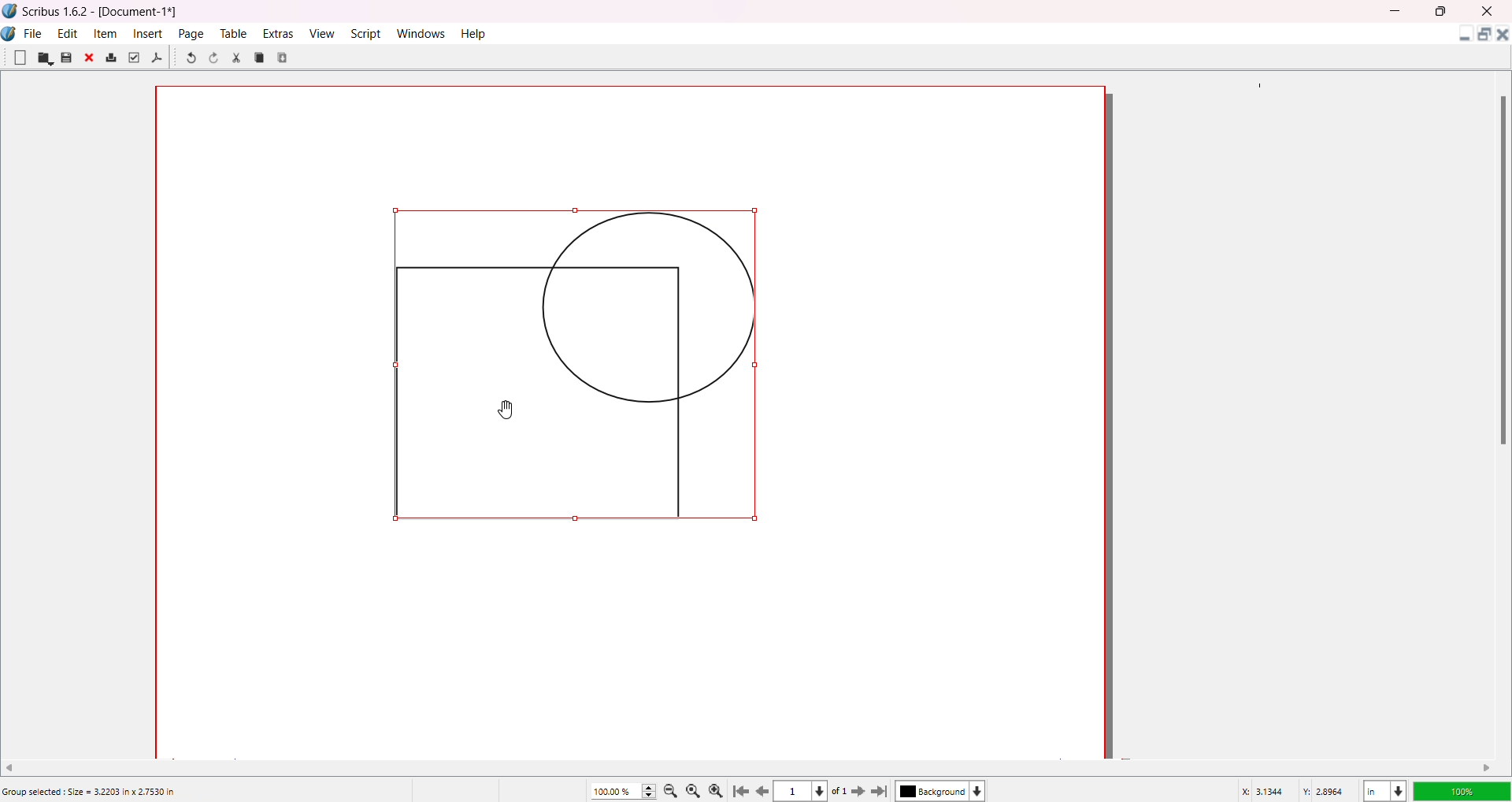 Image resolution: width=1512 pixels, height=802 pixels. What do you see at coordinates (719, 789) in the screenshot?
I see `Zoom in` at bounding box center [719, 789].